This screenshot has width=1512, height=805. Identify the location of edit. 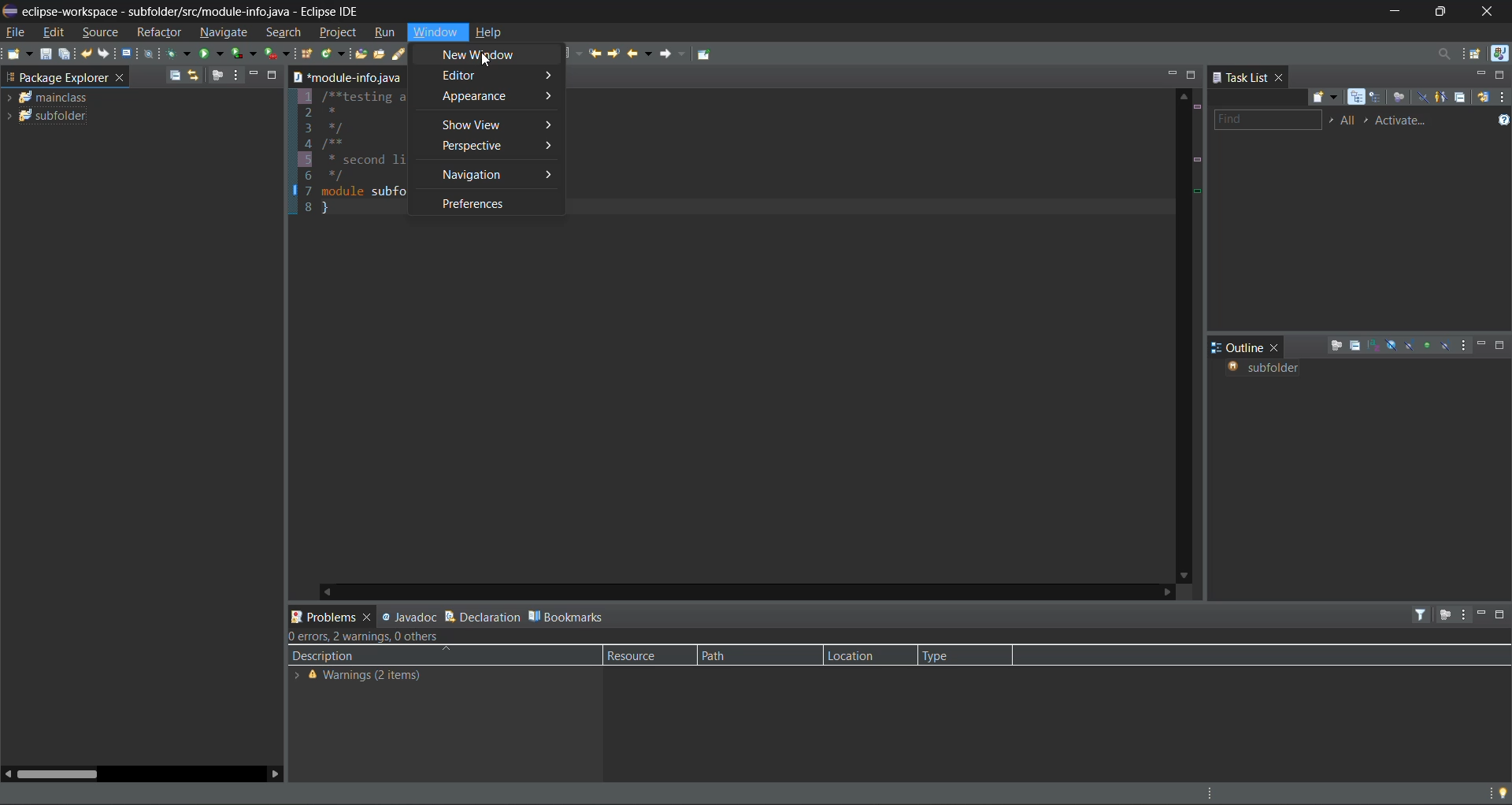
(51, 33).